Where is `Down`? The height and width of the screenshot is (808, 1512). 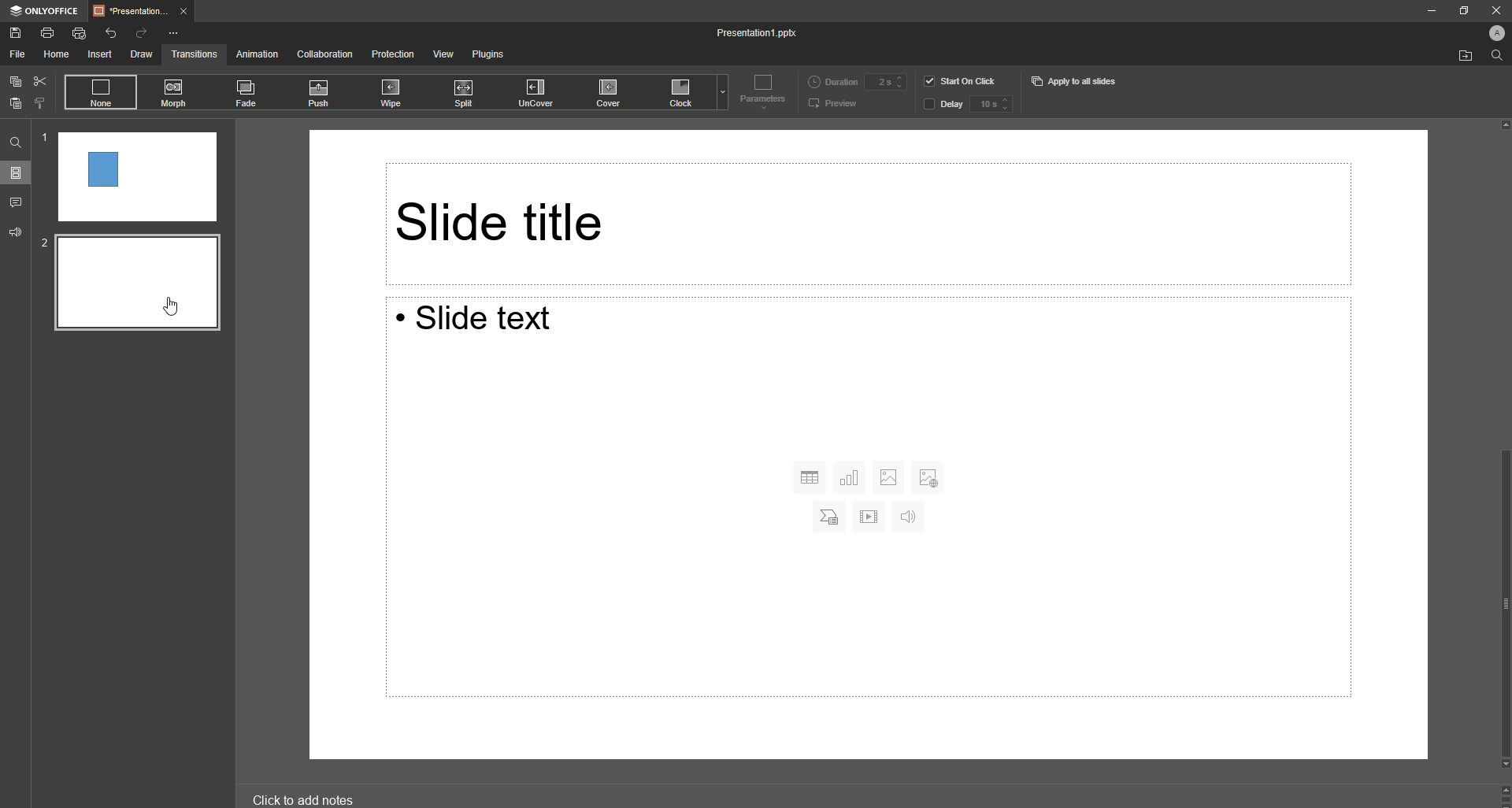
Down is located at coordinates (1503, 766).